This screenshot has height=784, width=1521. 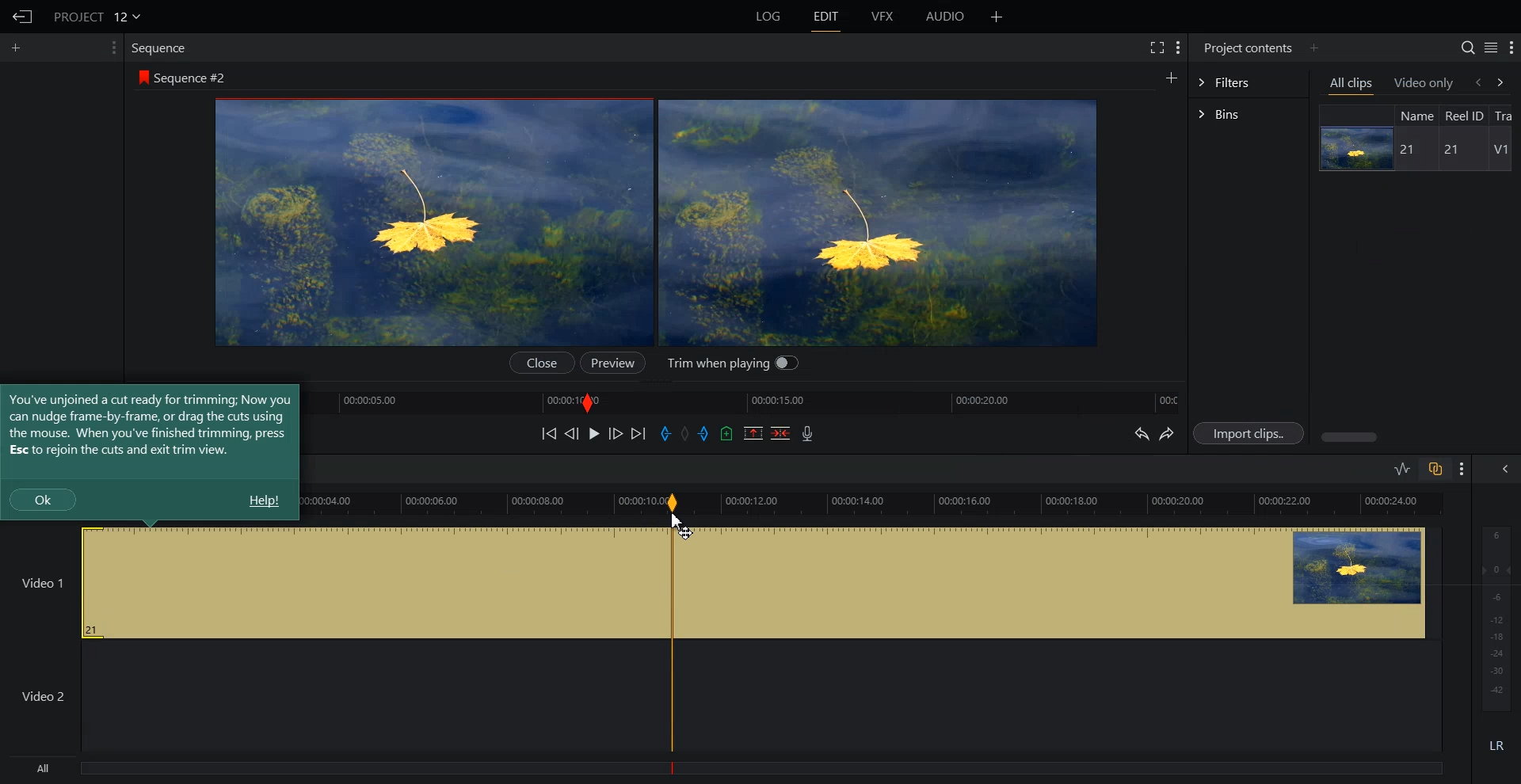 I want to click on Add an in mark at the current position, so click(x=665, y=433).